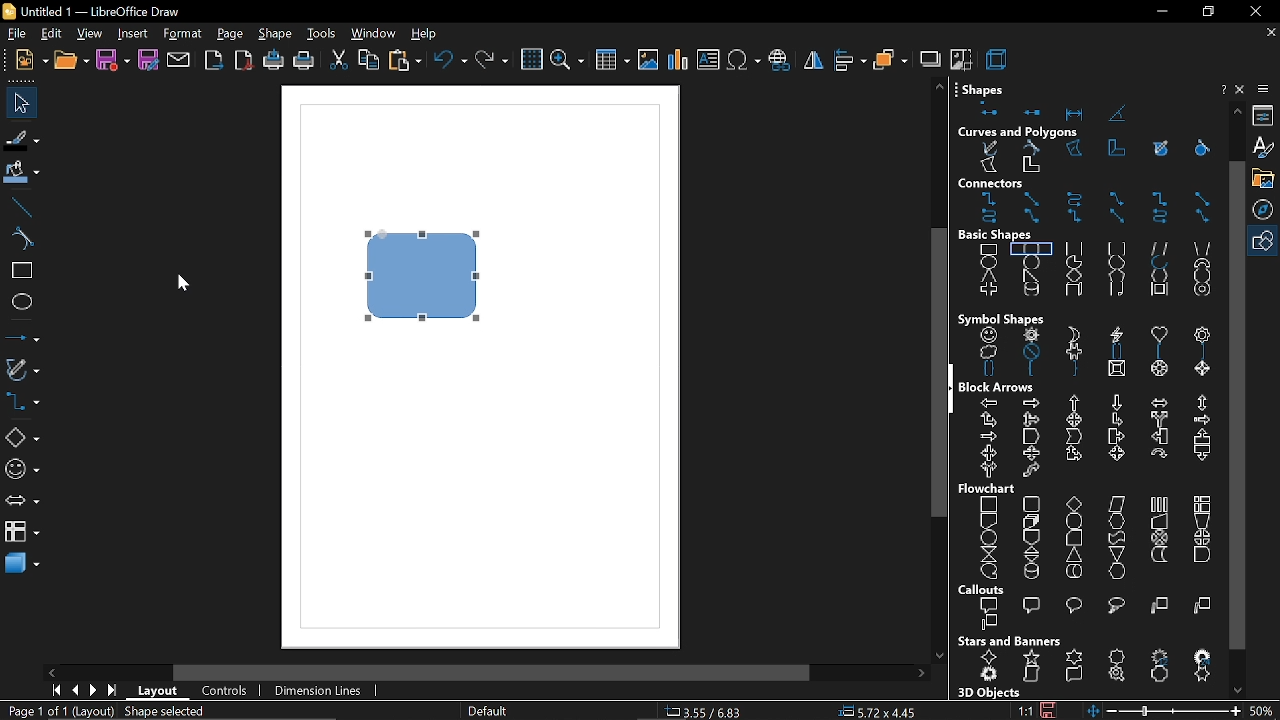  I want to click on file, so click(15, 35).